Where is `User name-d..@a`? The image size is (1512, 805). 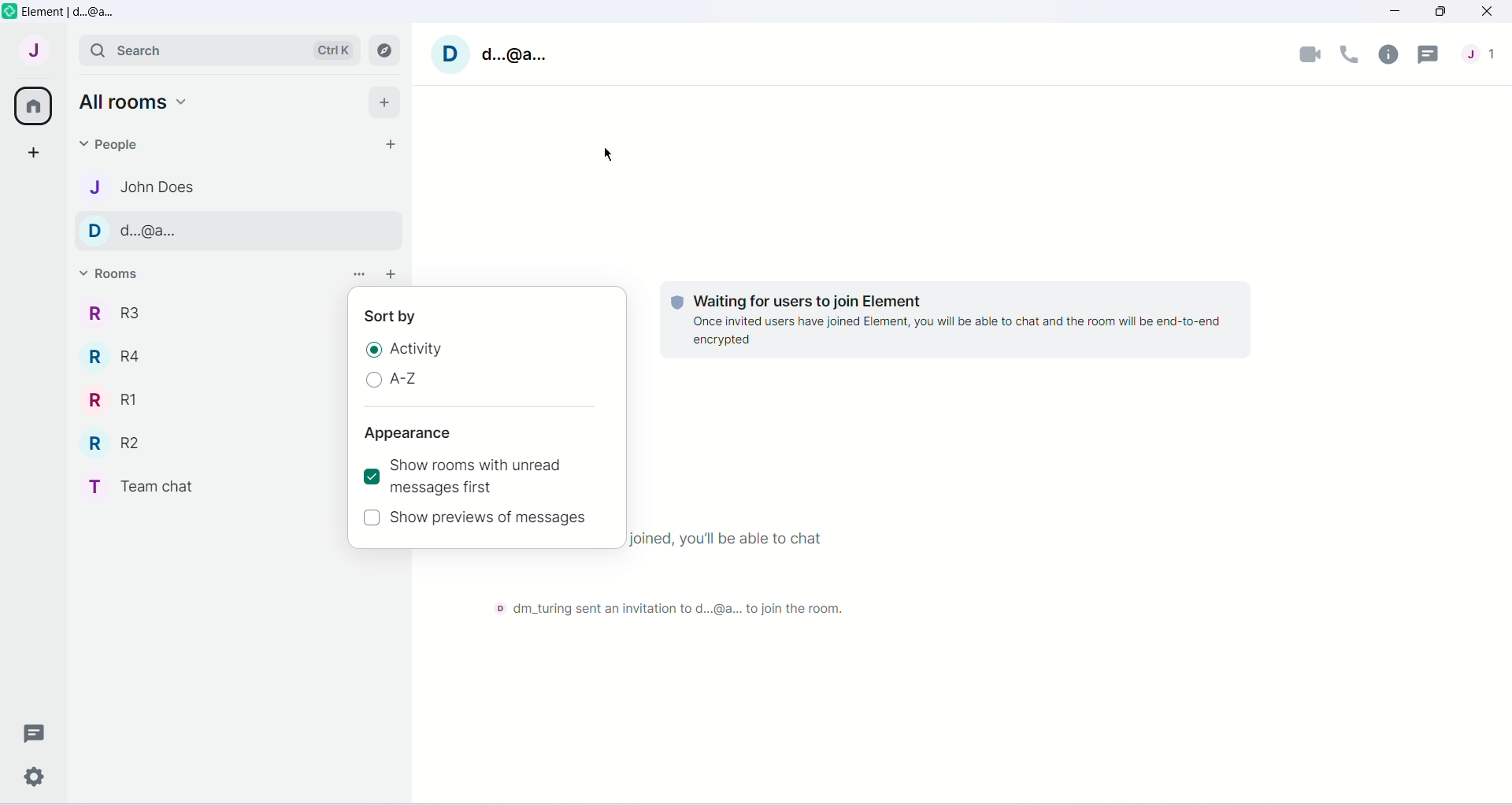
User name-d..@a is located at coordinates (511, 53).